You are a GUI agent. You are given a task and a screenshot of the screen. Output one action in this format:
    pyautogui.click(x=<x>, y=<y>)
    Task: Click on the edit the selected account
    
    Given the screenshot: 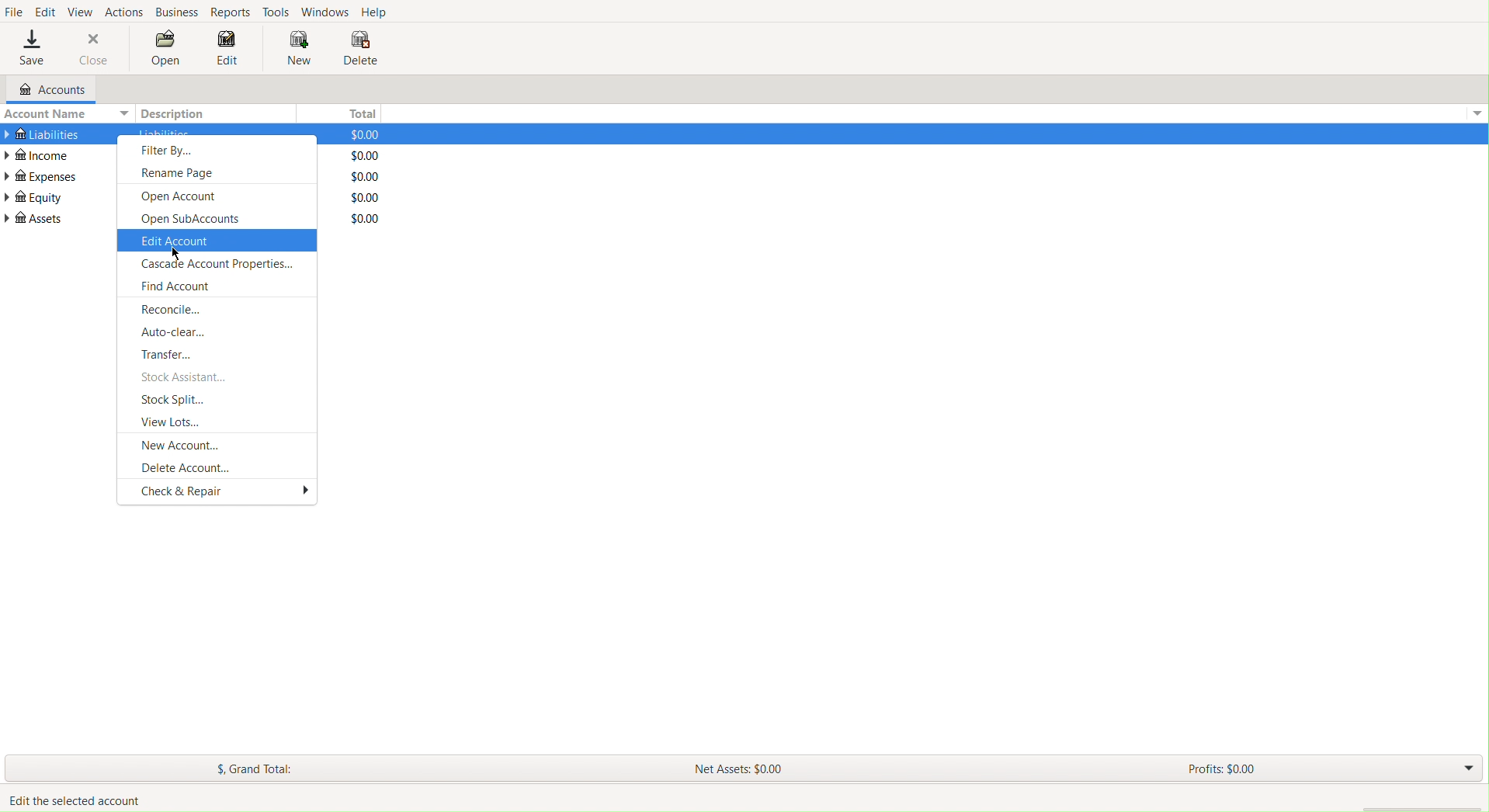 What is the action you would take?
    pyautogui.click(x=73, y=799)
    